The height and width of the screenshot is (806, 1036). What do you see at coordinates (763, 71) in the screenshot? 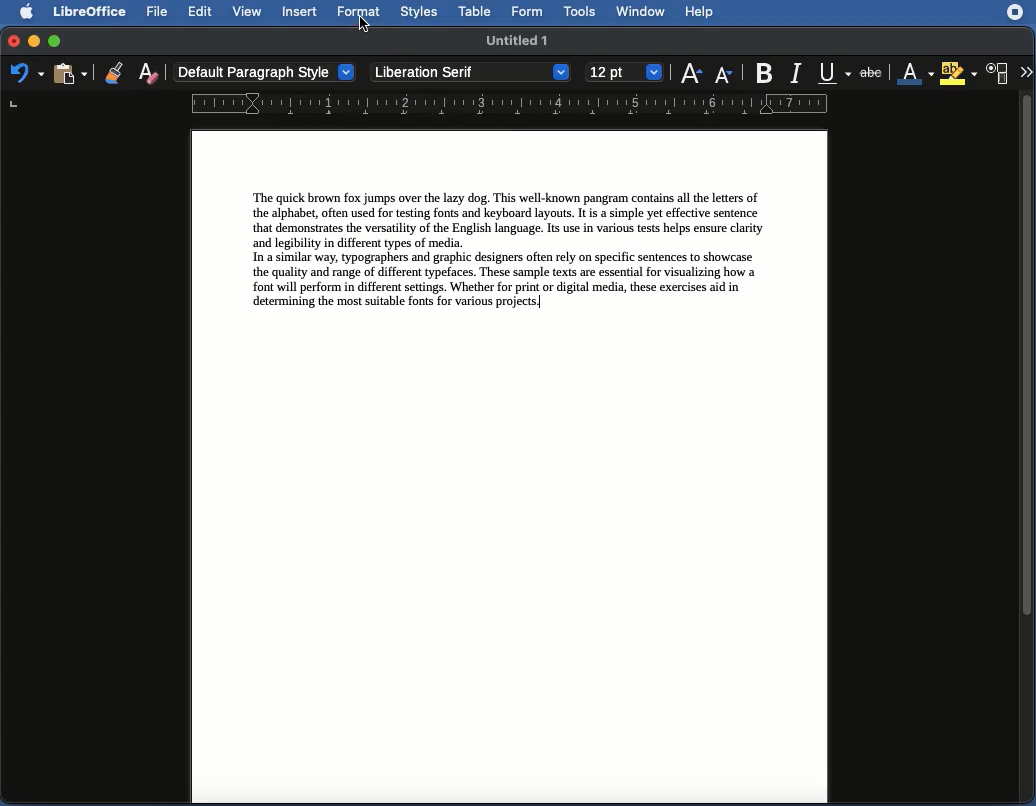
I see `Bold` at bounding box center [763, 71].